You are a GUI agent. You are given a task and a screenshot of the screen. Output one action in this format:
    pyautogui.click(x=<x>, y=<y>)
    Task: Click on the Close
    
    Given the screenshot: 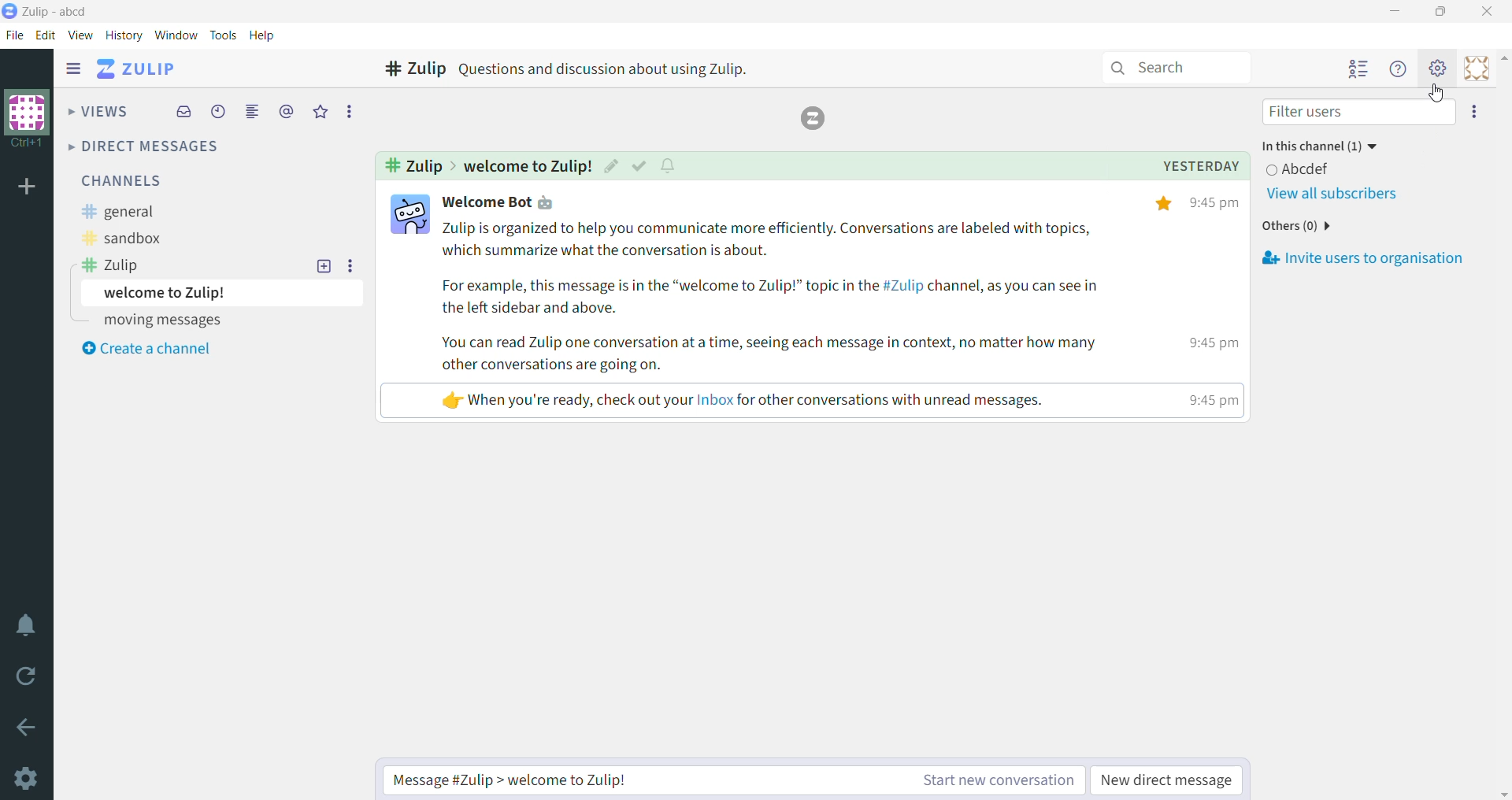 What is the action you would take?
    pyautogui.click(x=1490, y=11)
    